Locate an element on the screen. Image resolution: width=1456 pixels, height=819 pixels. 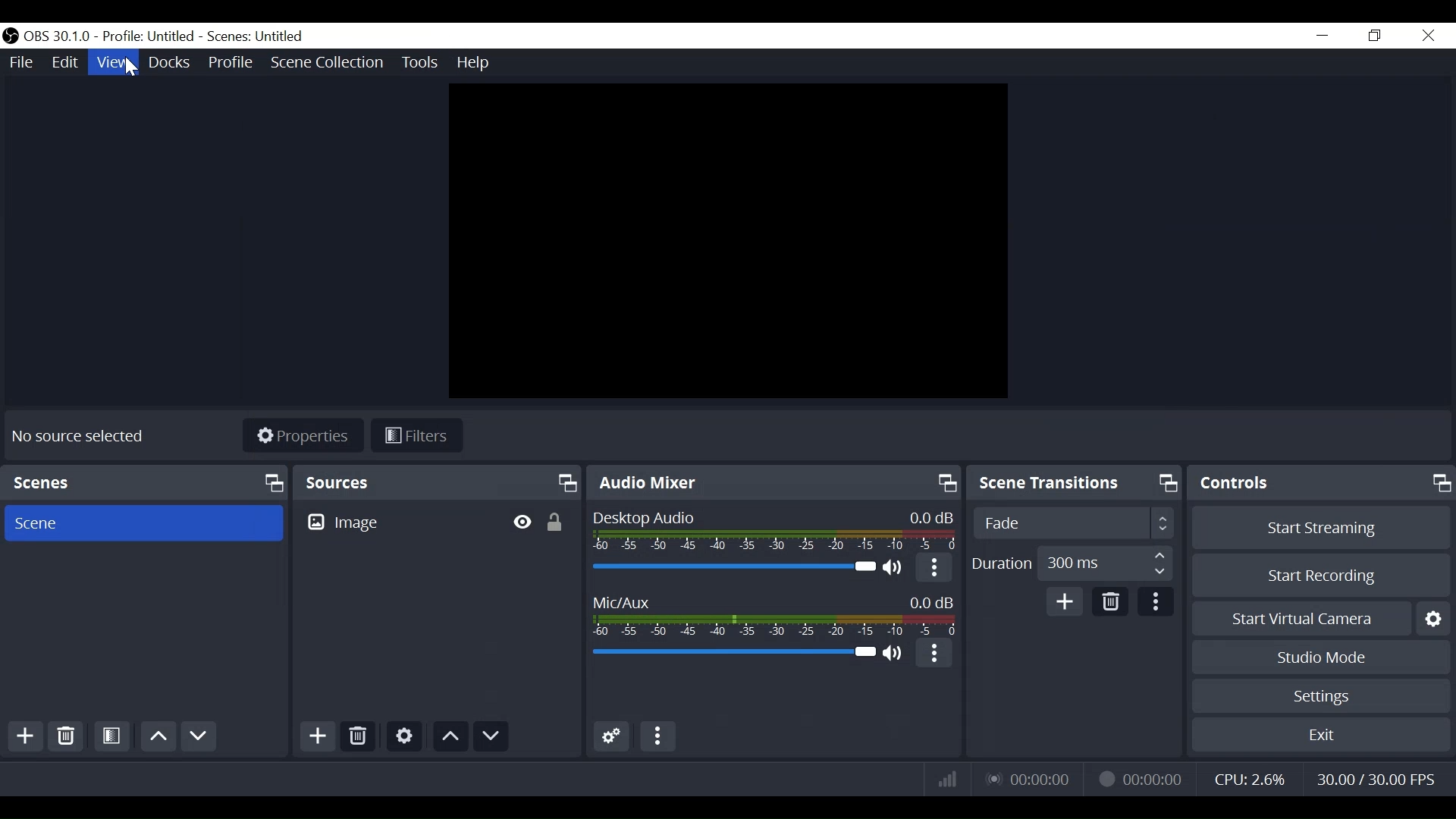
Filters is located at coordinates (417, 436).